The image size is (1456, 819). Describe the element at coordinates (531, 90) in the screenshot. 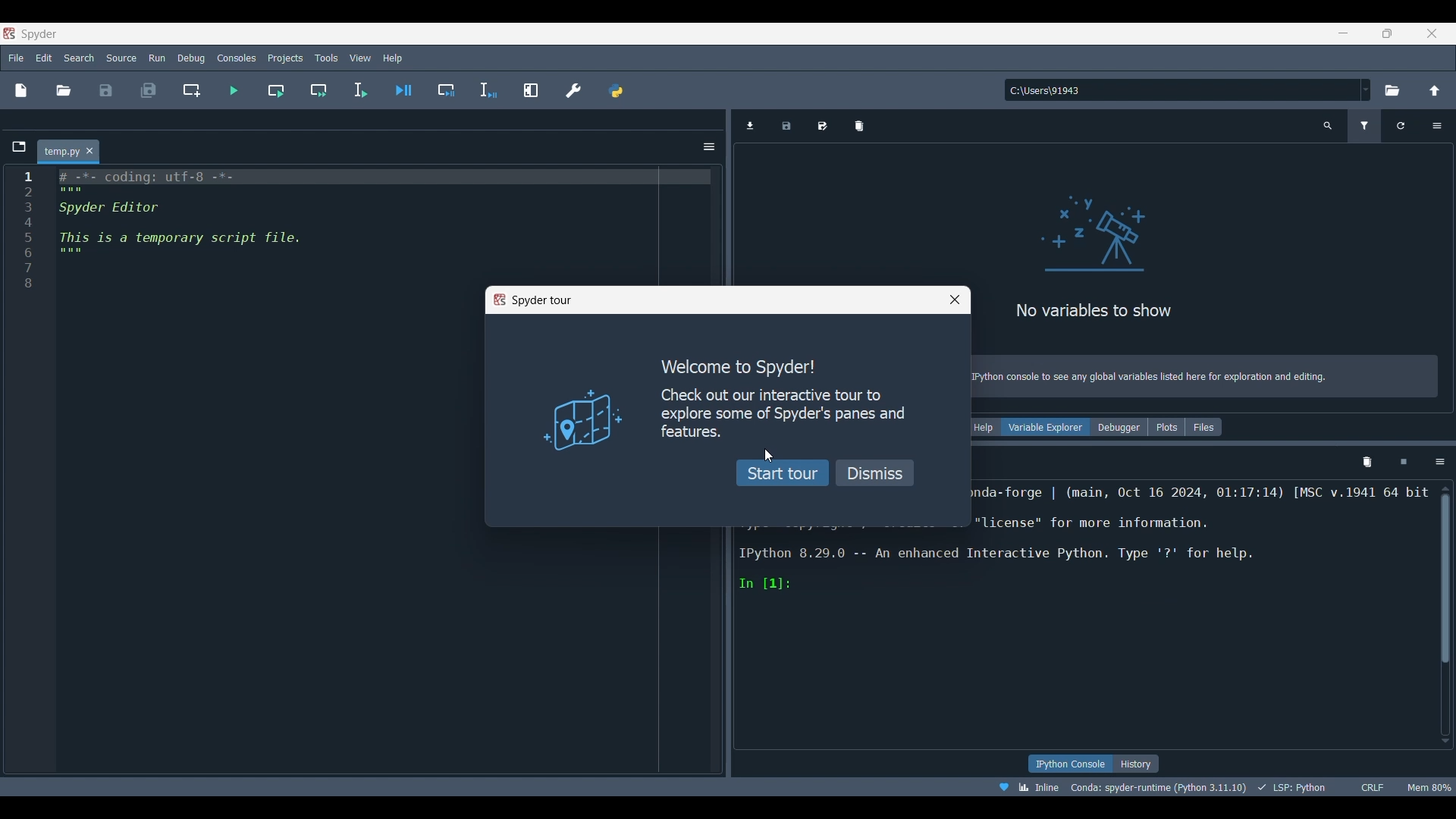

I see `Maximize current pane` at that location.